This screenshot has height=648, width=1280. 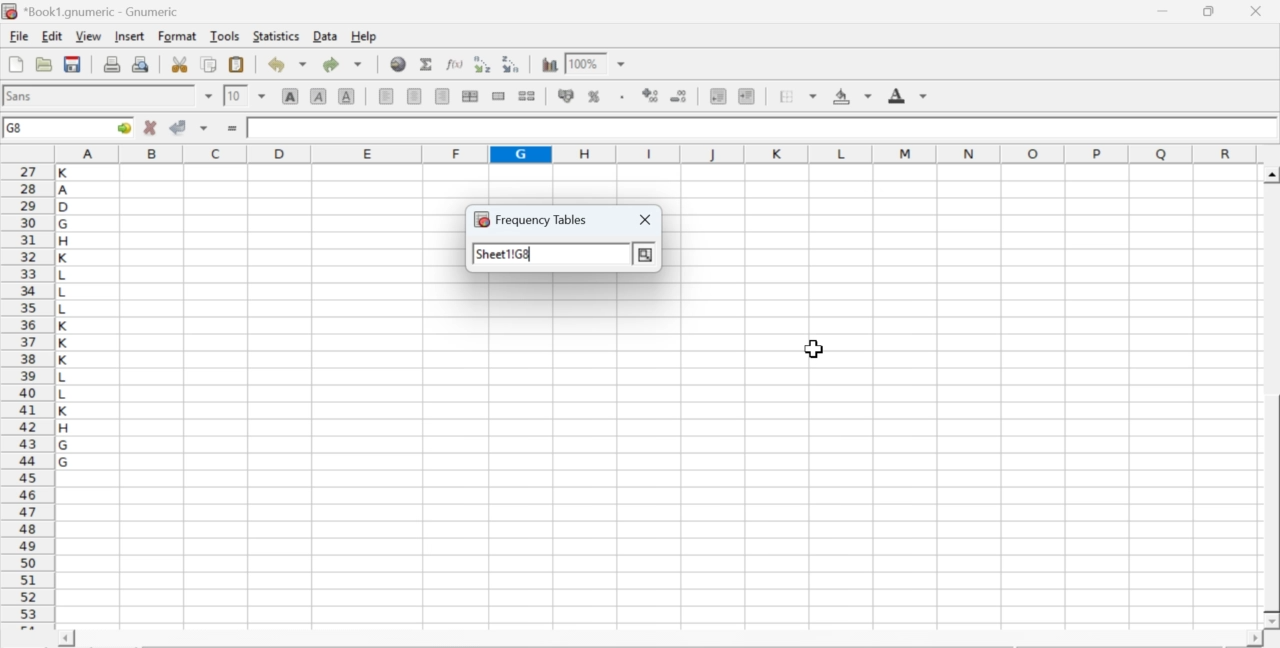 What do you see at coordinates (274, 36) in the screenshot?
I see `statistics` at bounding box center [274, 36].